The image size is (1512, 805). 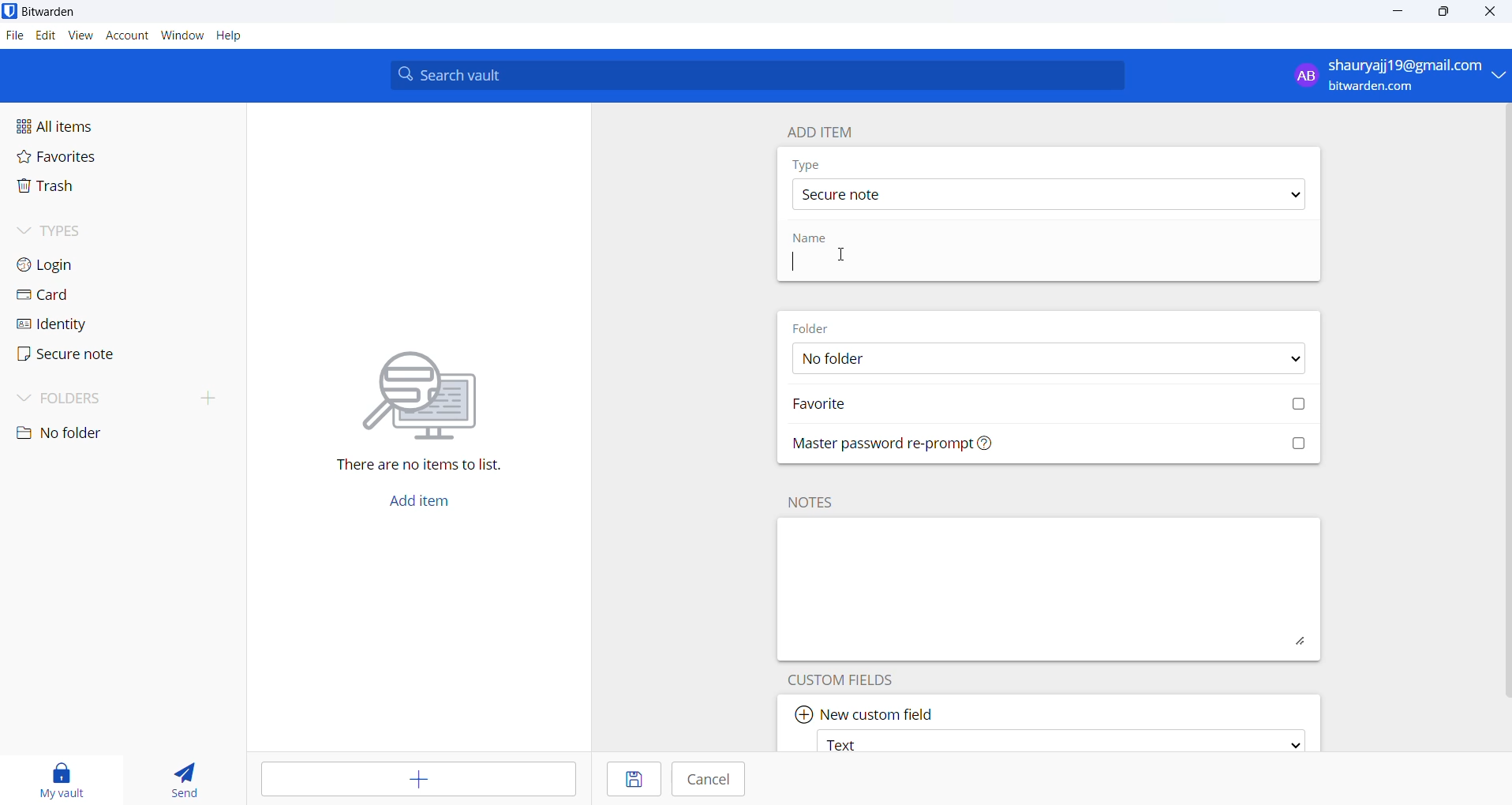 I want to click on edit, so click(x=43, y=35).